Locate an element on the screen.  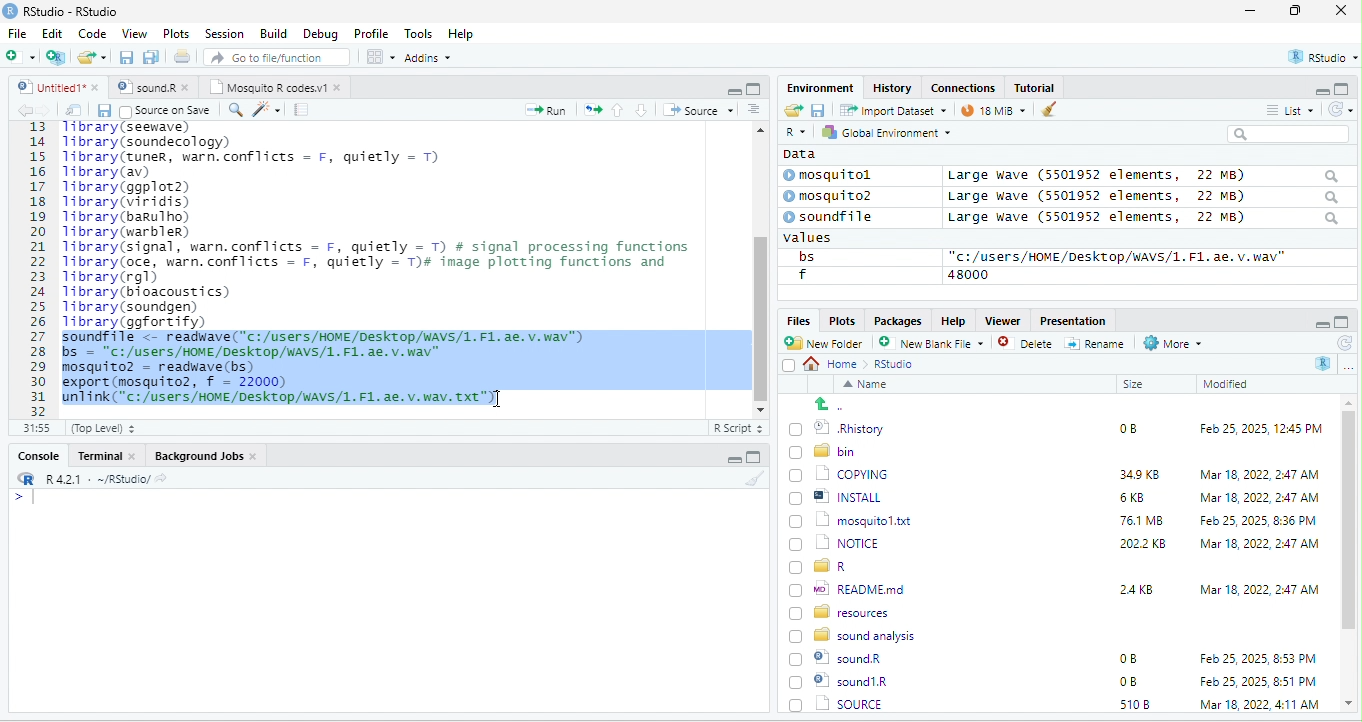
R is located at coordinates (794, 133).